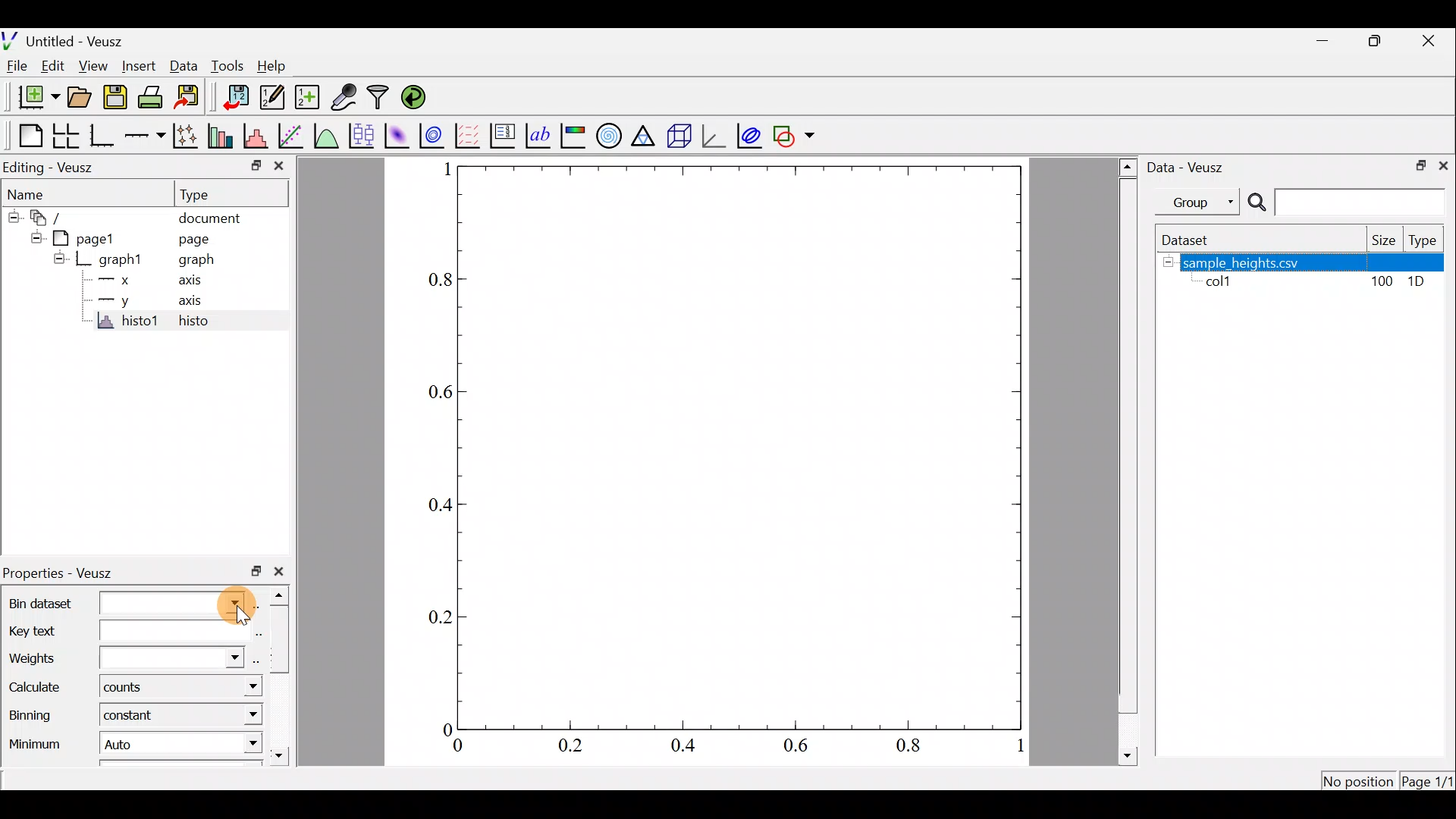 Image resolution: width=1456 pixels, height=819 pixels. I want to click on 0.2, so click(431, 618).